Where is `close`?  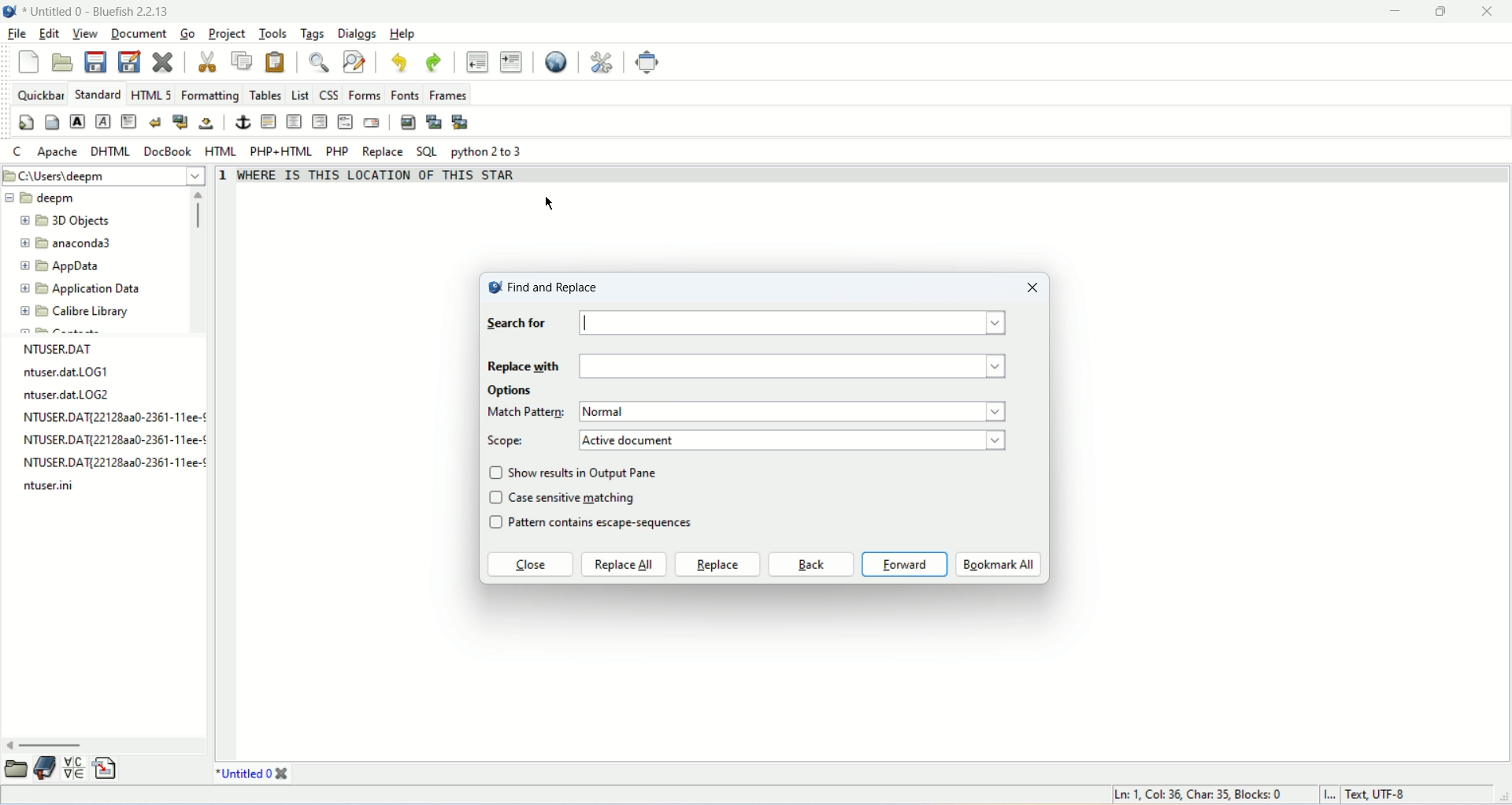
close is located at coordinates (282, 773).